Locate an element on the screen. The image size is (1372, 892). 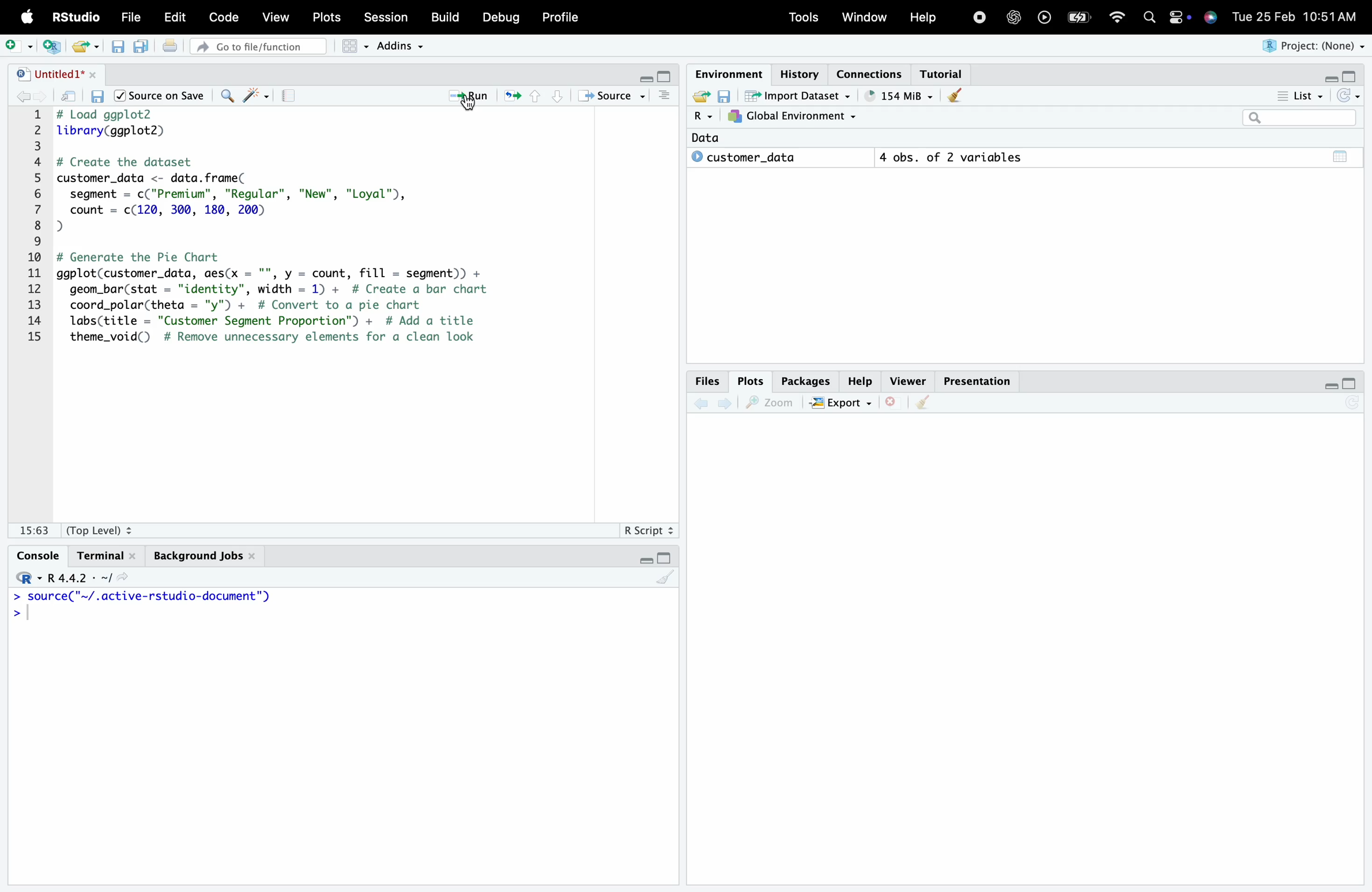
R.4.4.2  is located at coordinates (69, 576).